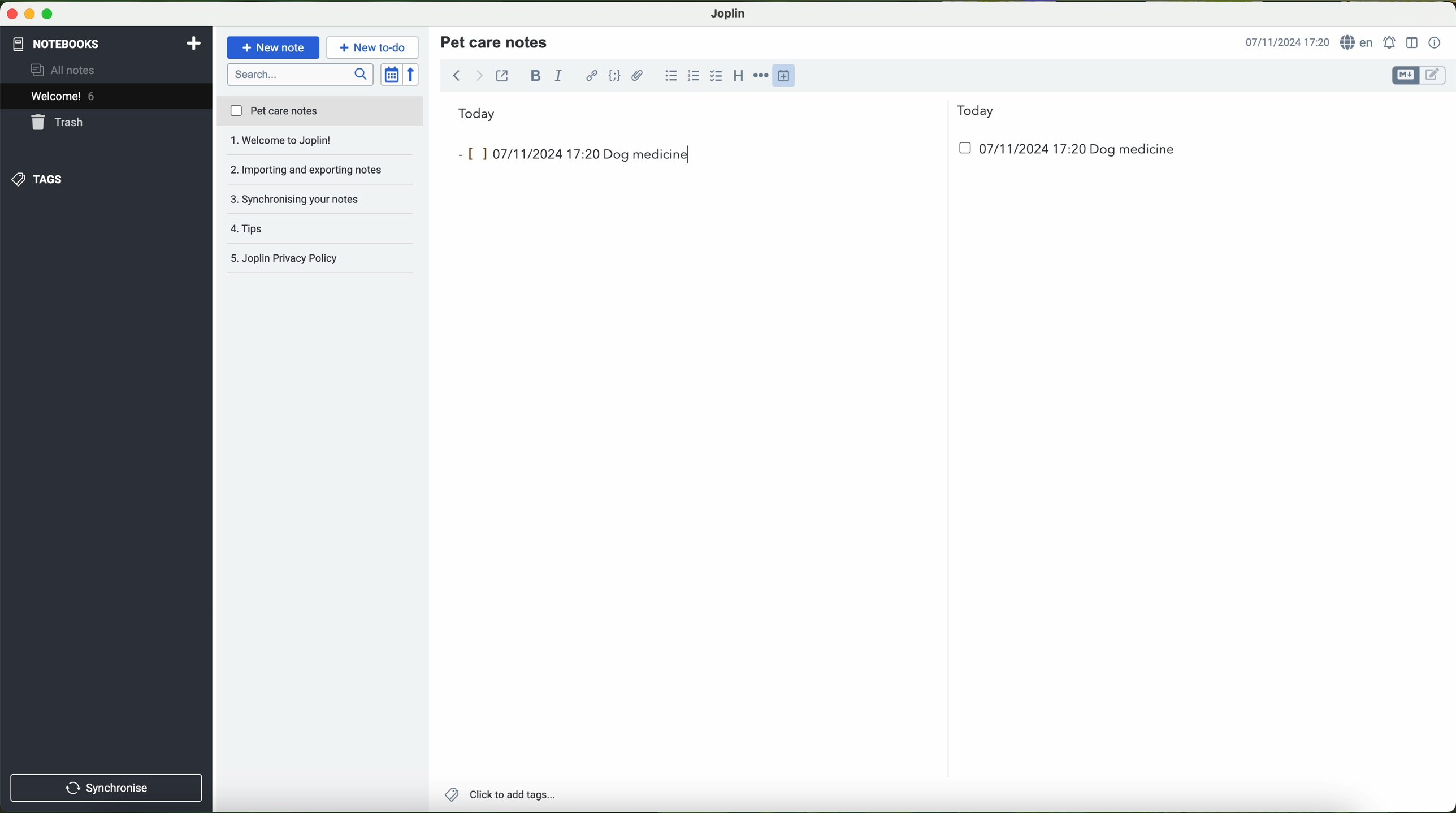  Describe the element at coordinates (66, 71) in the screenshot. I see `all notes` at that location.